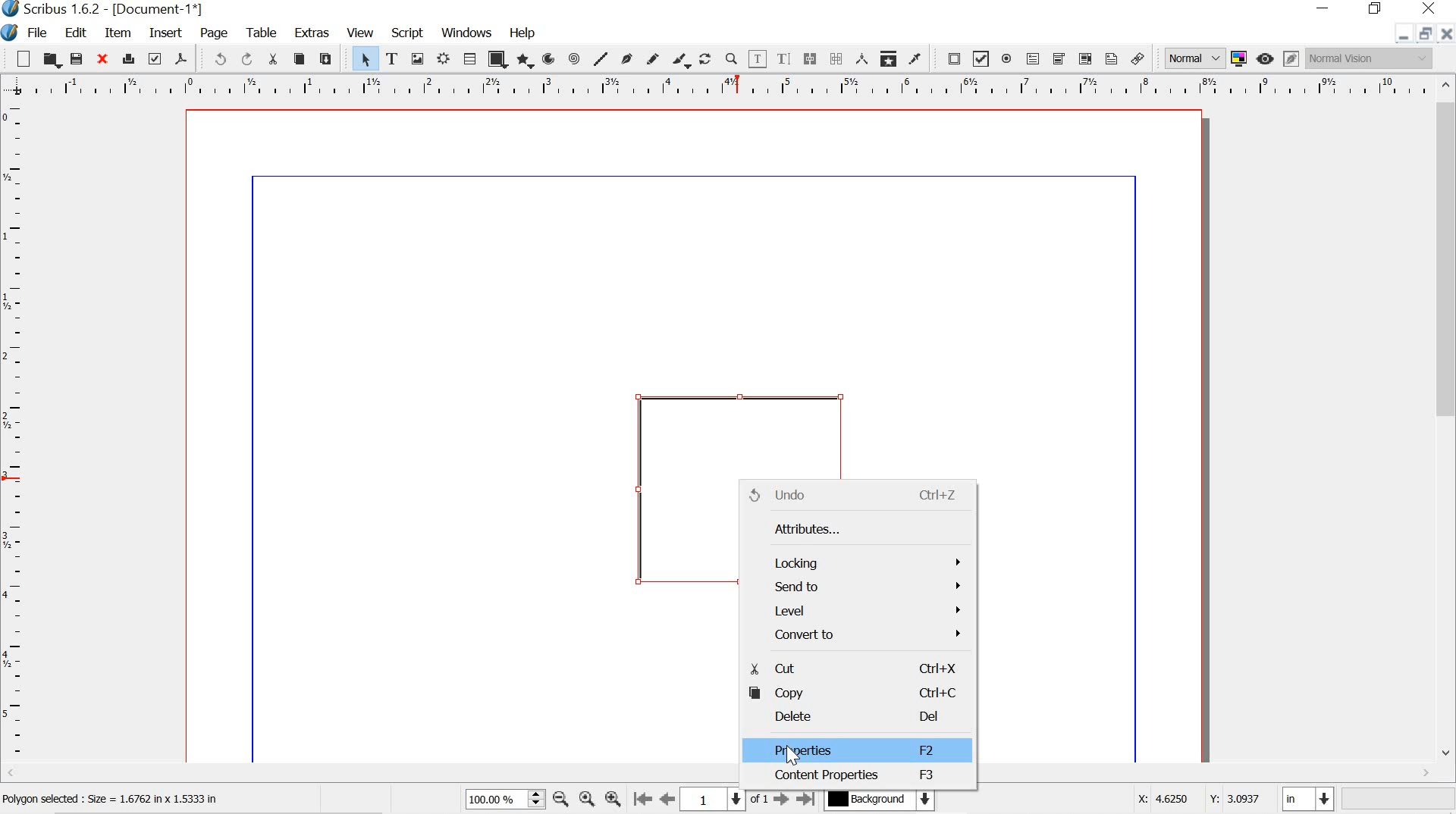 The height and width of the screenshot is (814, 1456). What do you see at coordinates (781, 802) in the screenshot?
I see `go to next page` at bounding box center [781, 802].